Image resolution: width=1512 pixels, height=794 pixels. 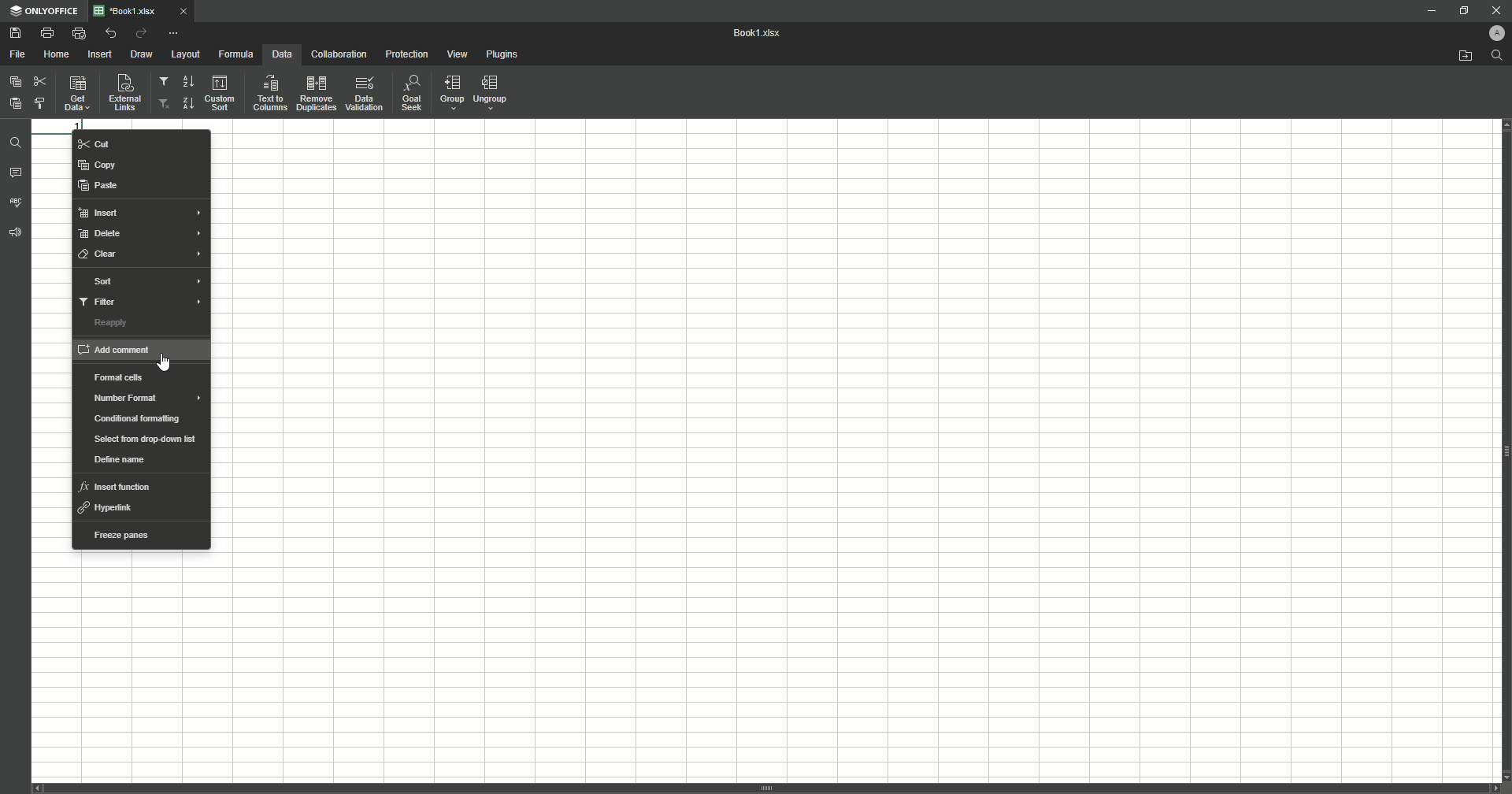 What do you see at coordinates (102, 234) in the screenshot?
I see `Delete` at bounding box center [102, 234].